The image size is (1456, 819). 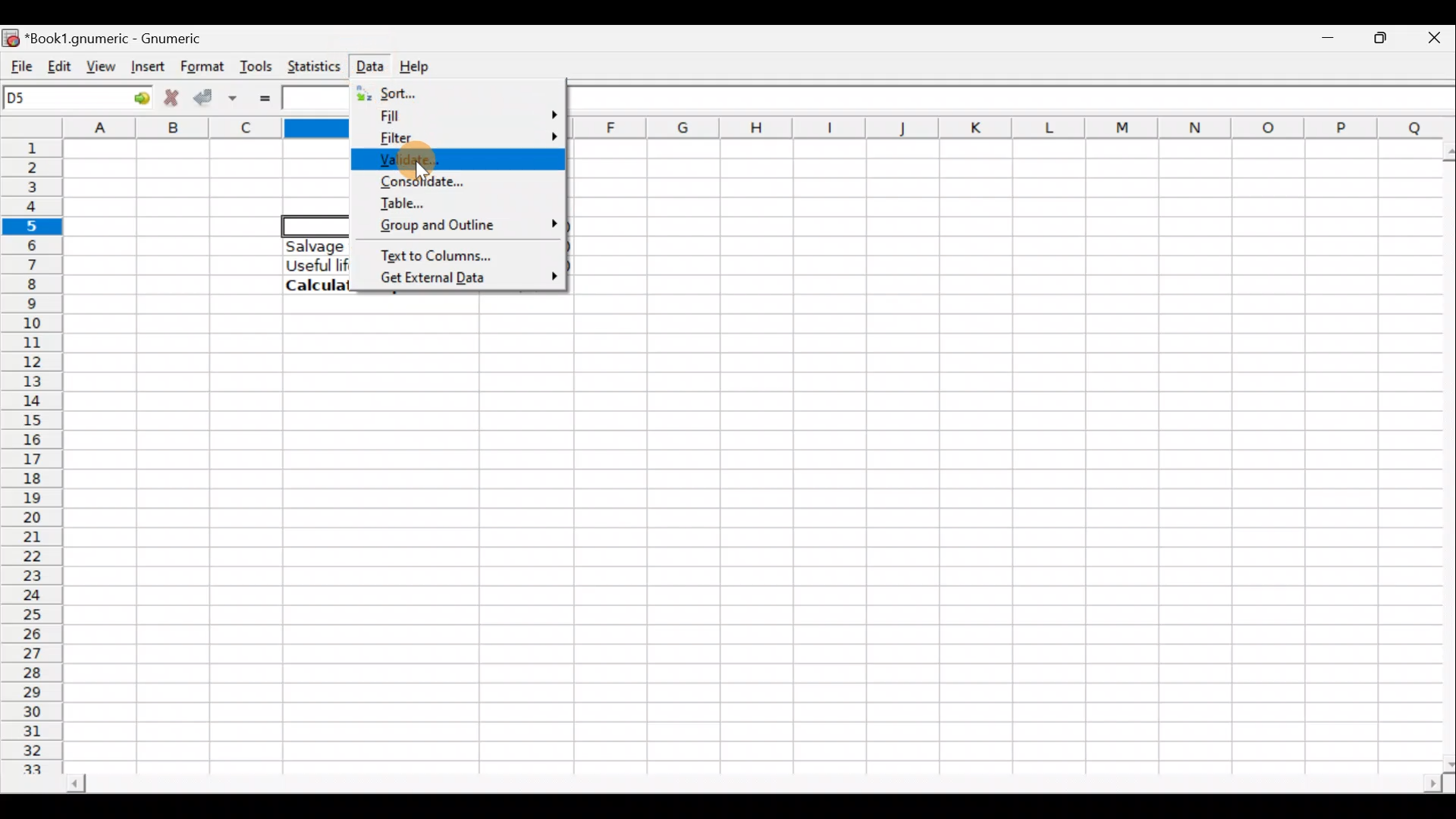 I want to click on File, so click(x=17, y=63).